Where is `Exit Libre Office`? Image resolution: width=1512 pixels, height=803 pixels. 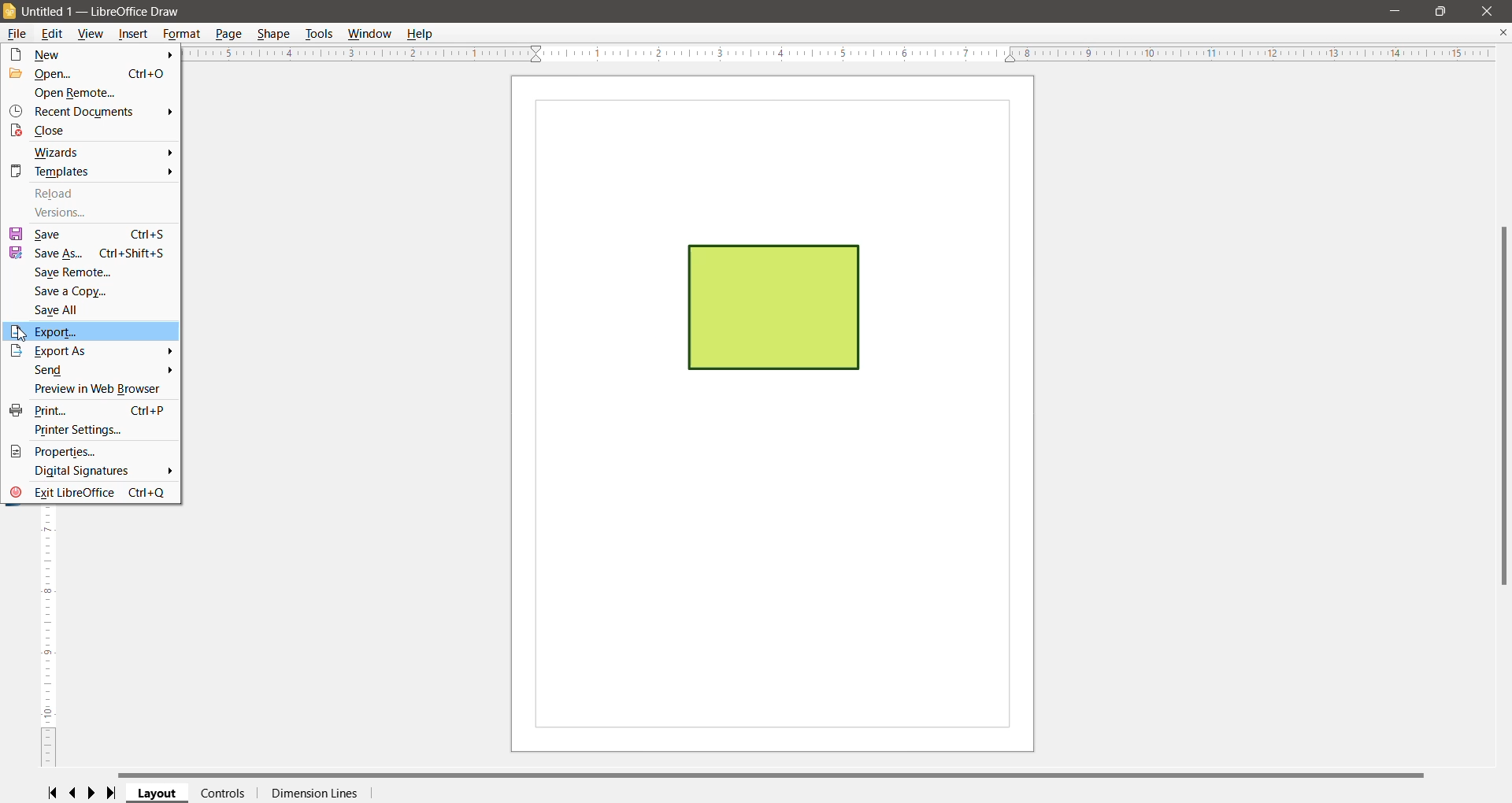 Exit Libre Office is located at coordinates (89, 494).